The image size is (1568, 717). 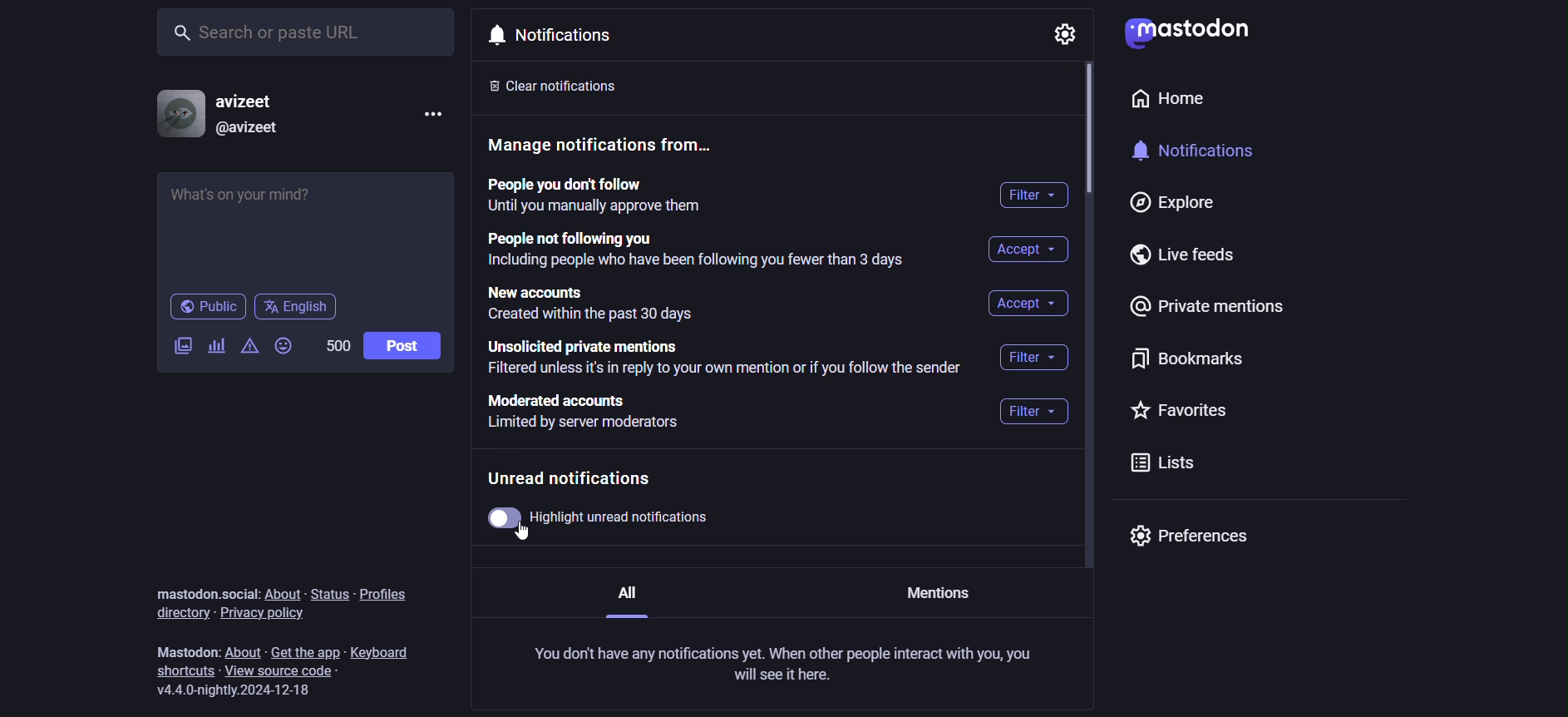 I want to click on notifications, so click(x=1196, y=154).